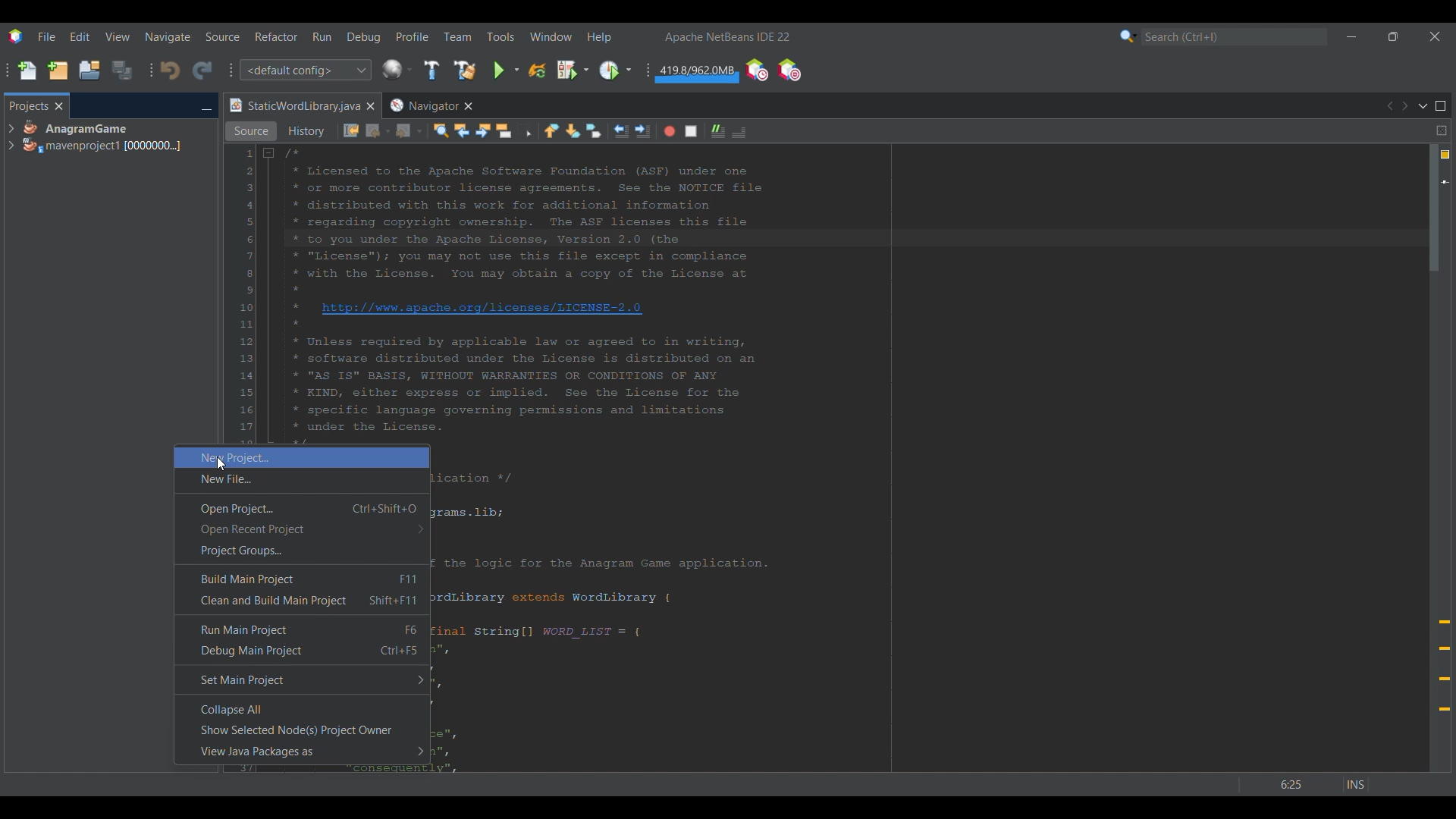 This screenshot has height=819, width=1456. What do you see at coordinates (413, 36) in the screenshot?
I see `Profile menu` at bounding box center [413, 36].